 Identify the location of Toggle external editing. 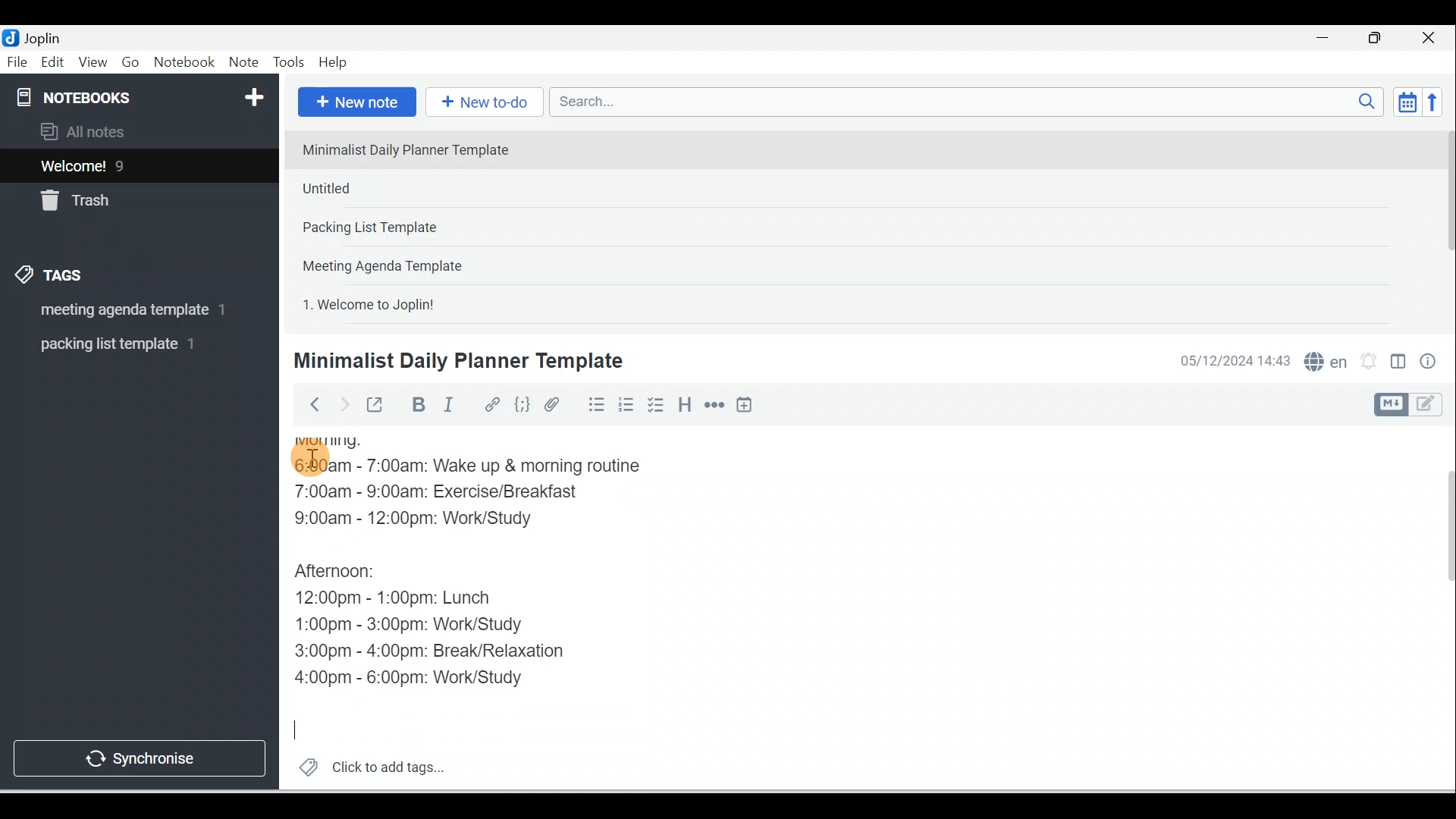
(377, 408).